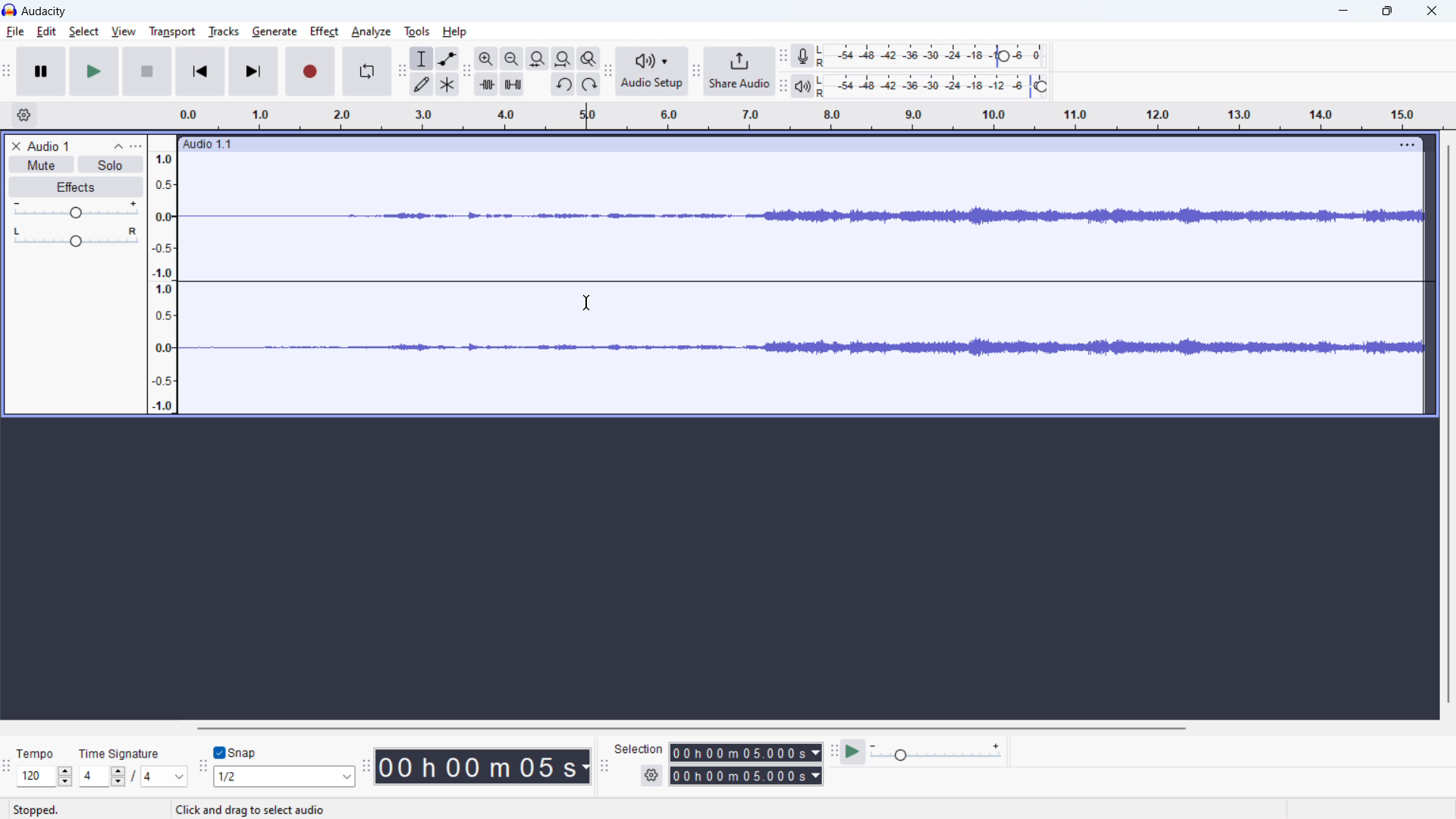 The height and width of the screenshot is (819, 1456). What do you see at coordinates (422, 83) in the screenshot?
I see `draw tool` at bounding box center [422, 83].